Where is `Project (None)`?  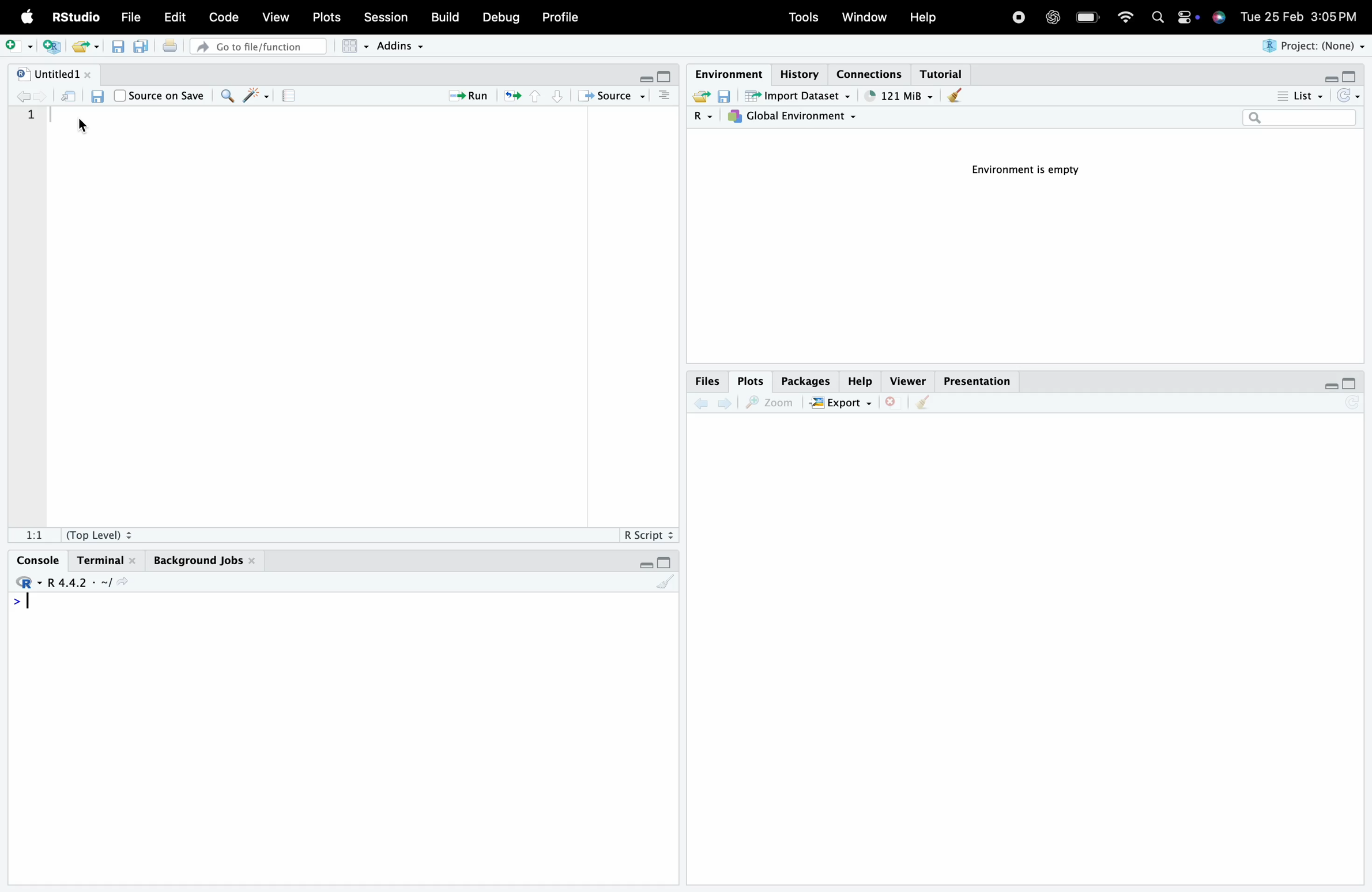
Project (None) is located at coordinates (1315, 47).